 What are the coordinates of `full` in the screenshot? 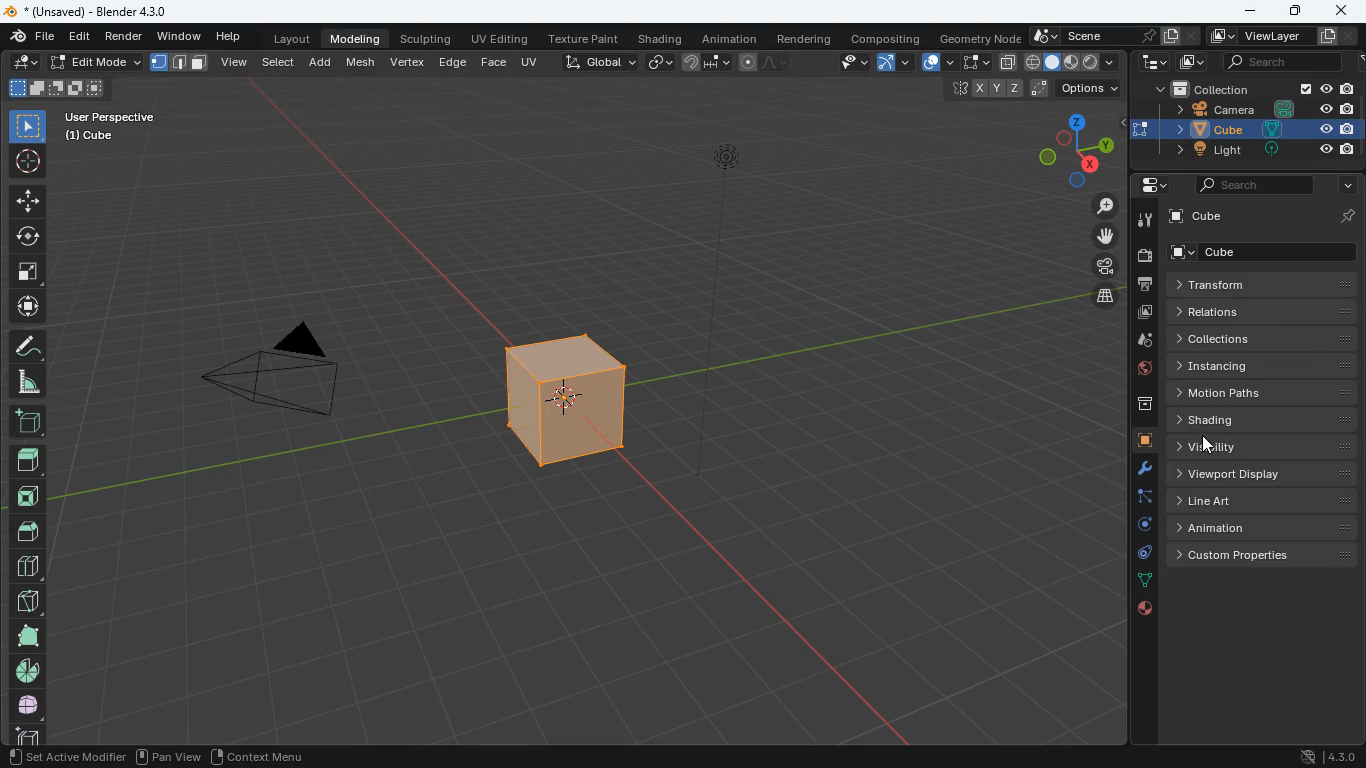 It's located at (26, 637).